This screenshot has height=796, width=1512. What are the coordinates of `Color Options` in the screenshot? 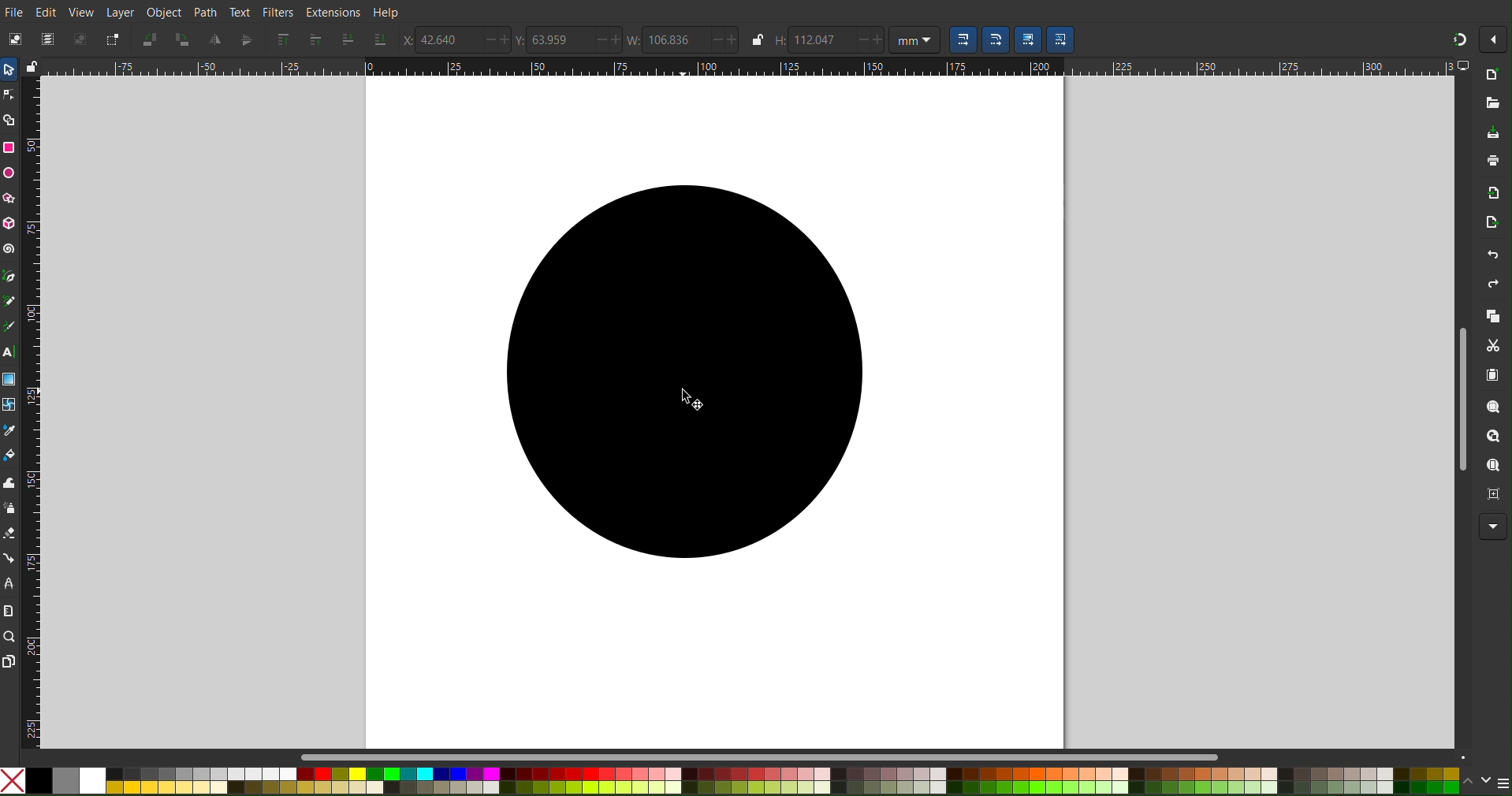 It's located at (731, 781).